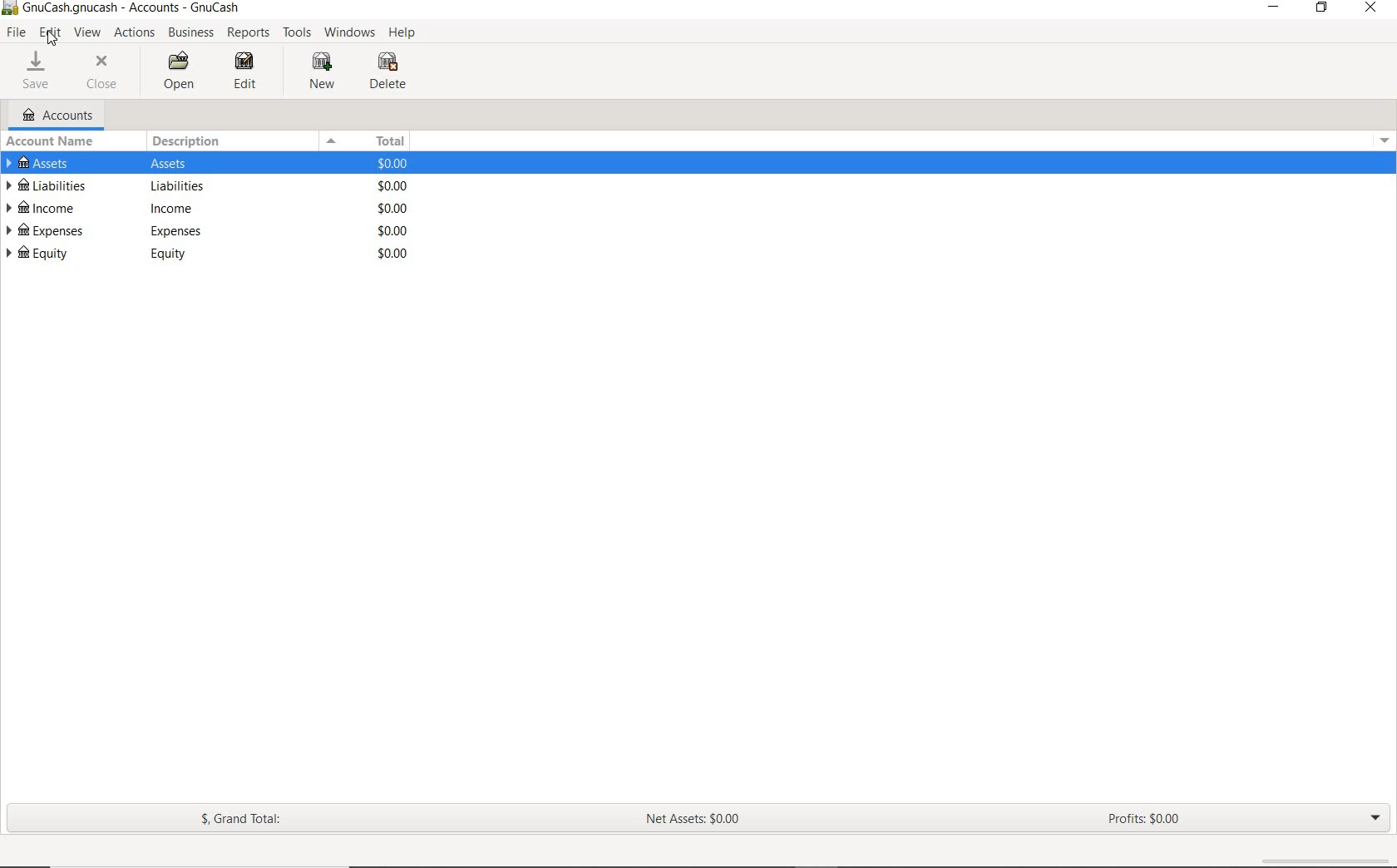 The width and height of the screenshot is (1397, 868). Describe the element at coordinates (406, 35) in the screenshot. I see `HELP` at that location.